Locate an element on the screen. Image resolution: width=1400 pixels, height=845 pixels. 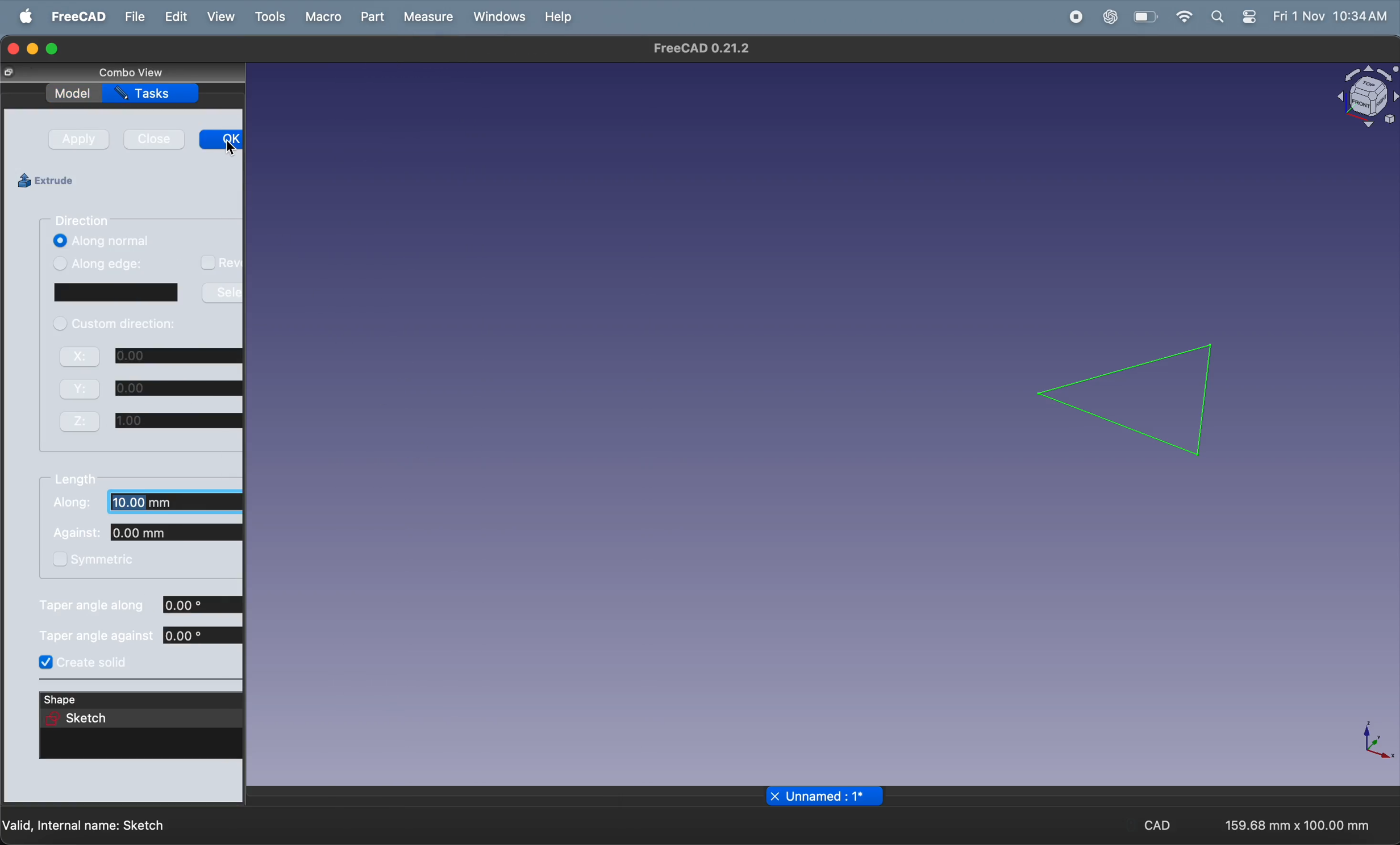
minimize is located at coordinates (32, 49).